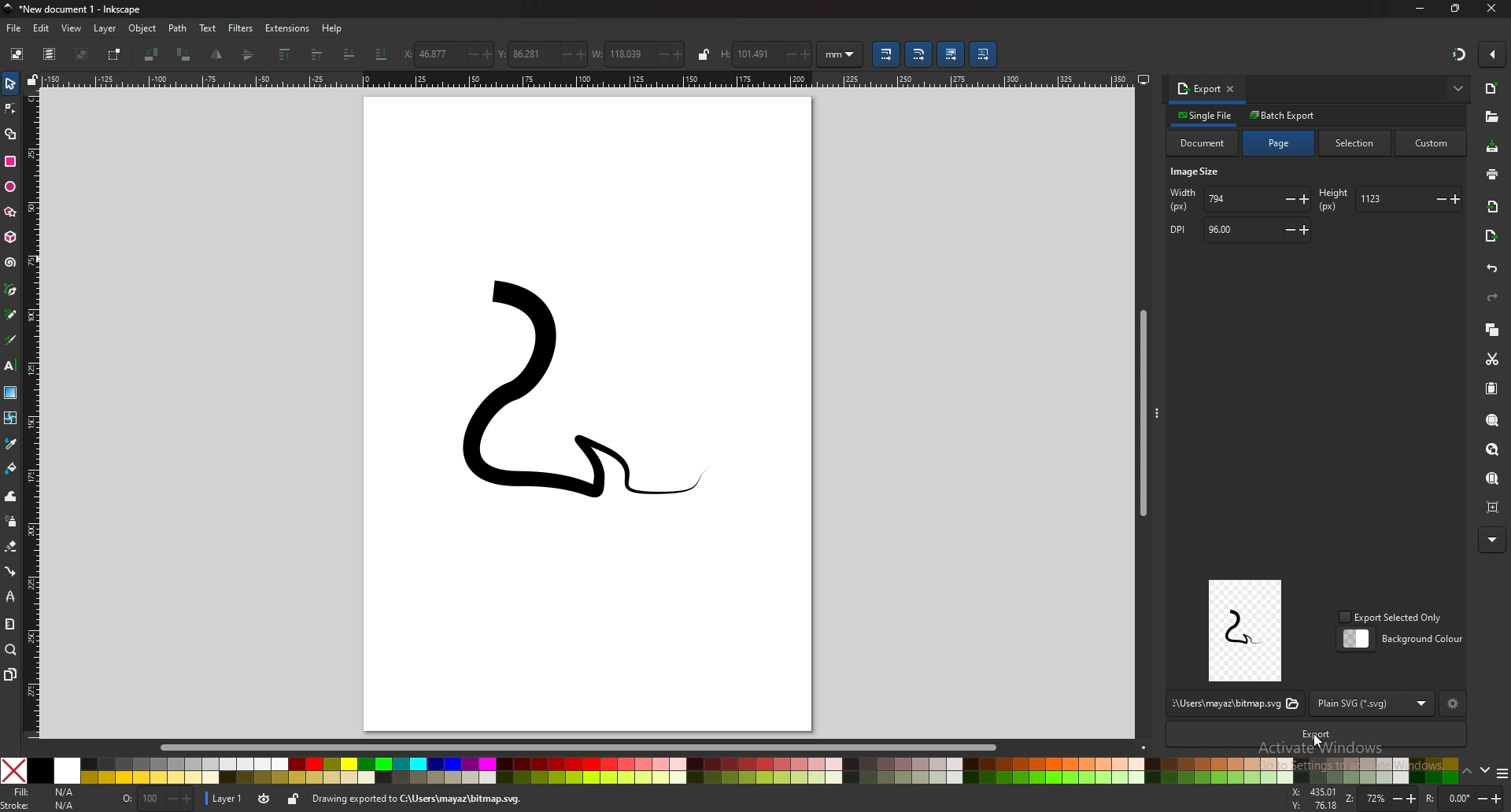 This screenshot has width=1511, height=812. What do you see at coordinates (16, 54) in the screenshot?
I see `select all objects` at bounding box center [16, 54].